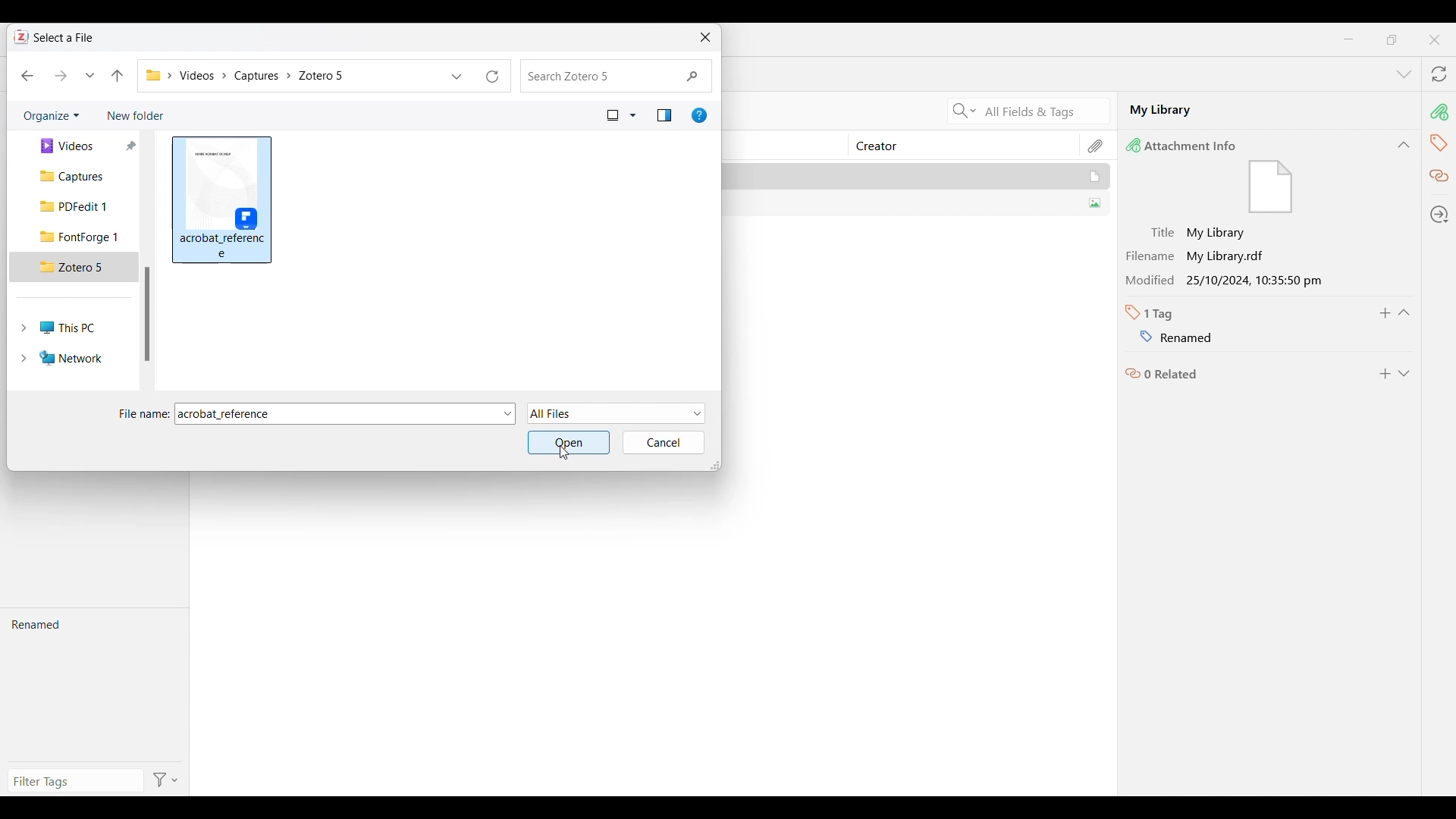  I want to click on Captures folder, so click(82, 175).